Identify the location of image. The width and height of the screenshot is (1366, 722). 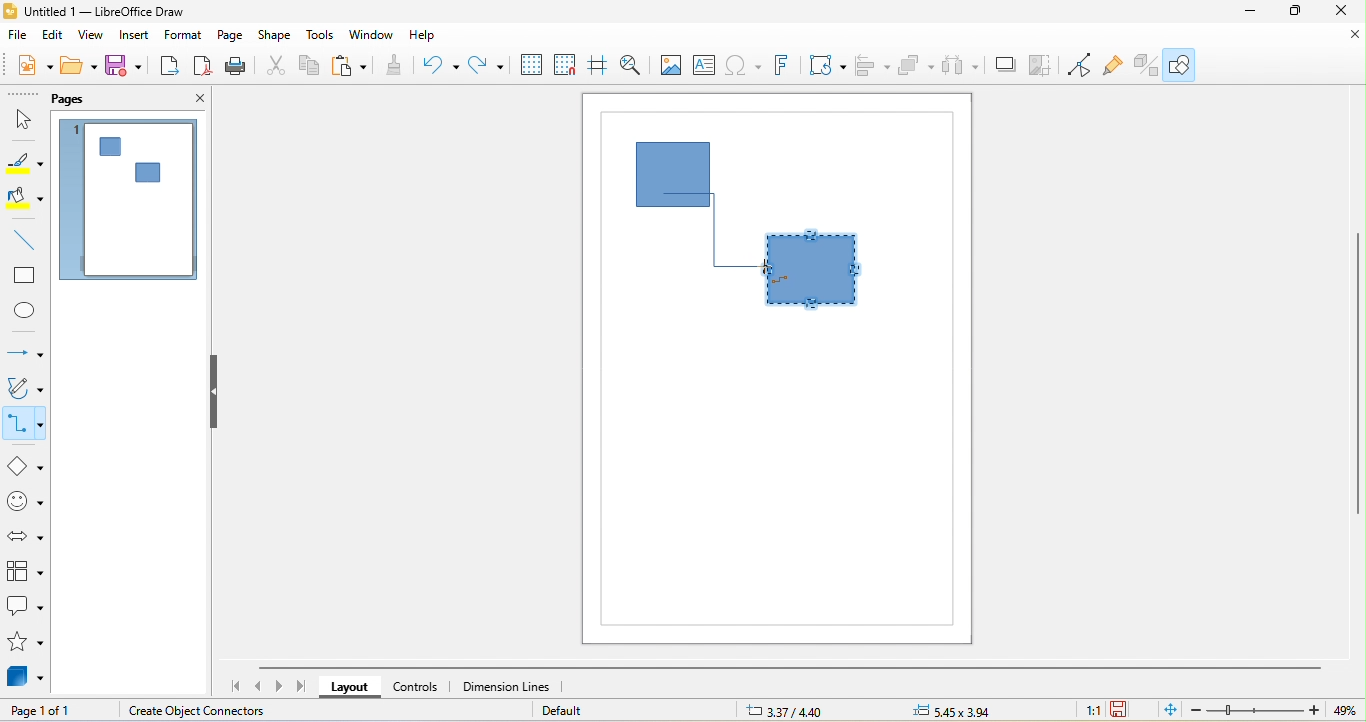
(671, 65).